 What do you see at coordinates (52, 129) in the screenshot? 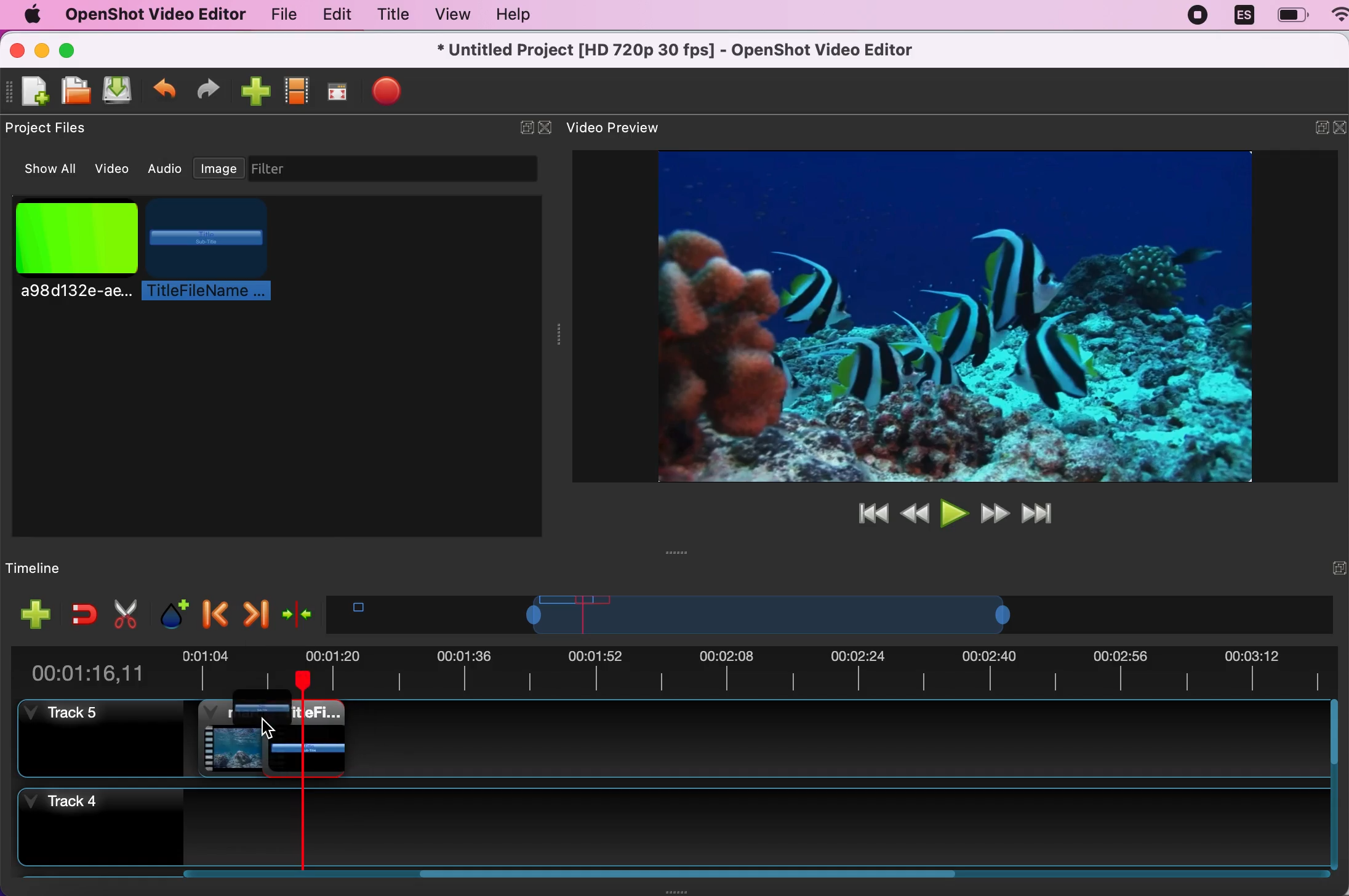
I see `project files` at bounding box center [52, 129].